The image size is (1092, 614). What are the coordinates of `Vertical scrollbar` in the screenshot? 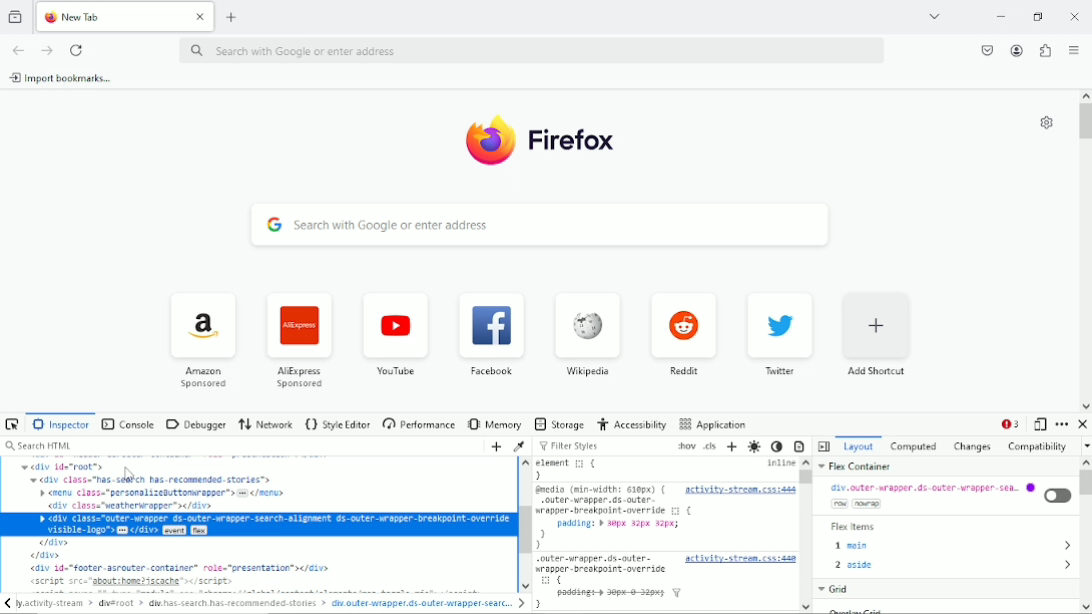 It's located at (524, 529).